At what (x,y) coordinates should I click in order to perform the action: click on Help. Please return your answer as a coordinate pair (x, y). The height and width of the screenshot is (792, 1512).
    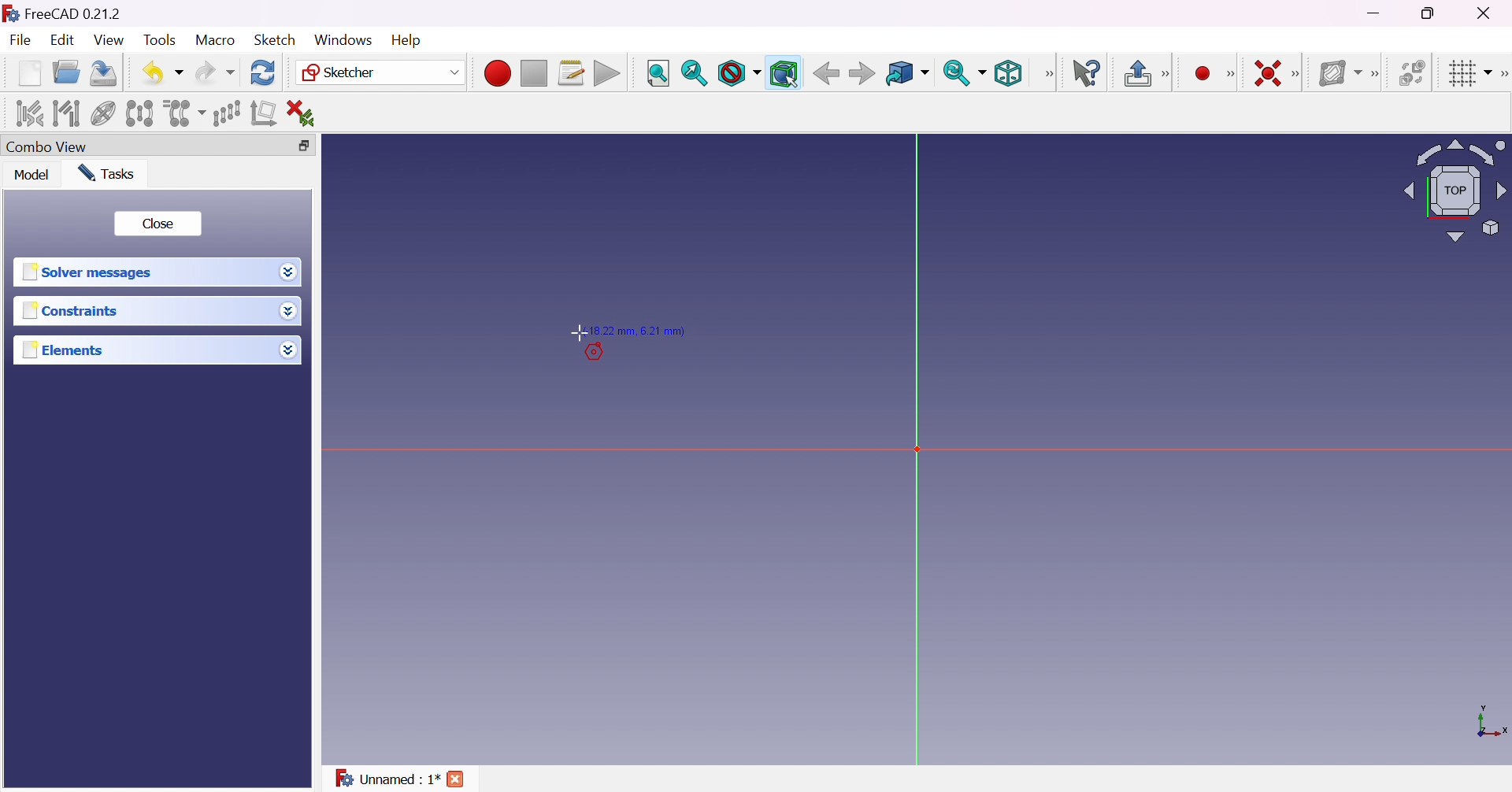
    Looking at the image, I should click on (409, 41).